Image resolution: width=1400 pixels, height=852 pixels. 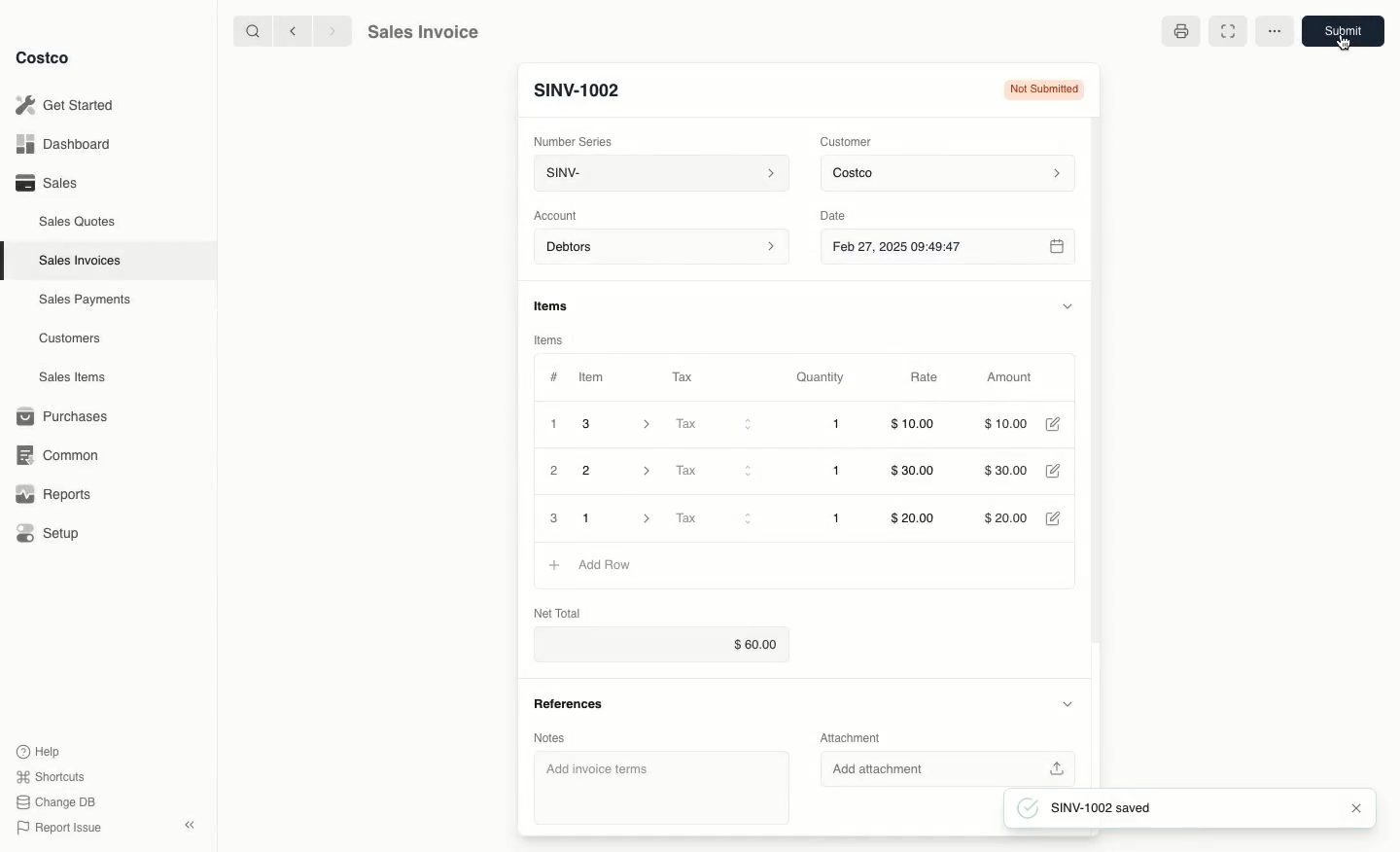 What do you see at coordinates (1004, 472) in the screenshot?
I see `$30.00` at bounding box center [1004, 472].